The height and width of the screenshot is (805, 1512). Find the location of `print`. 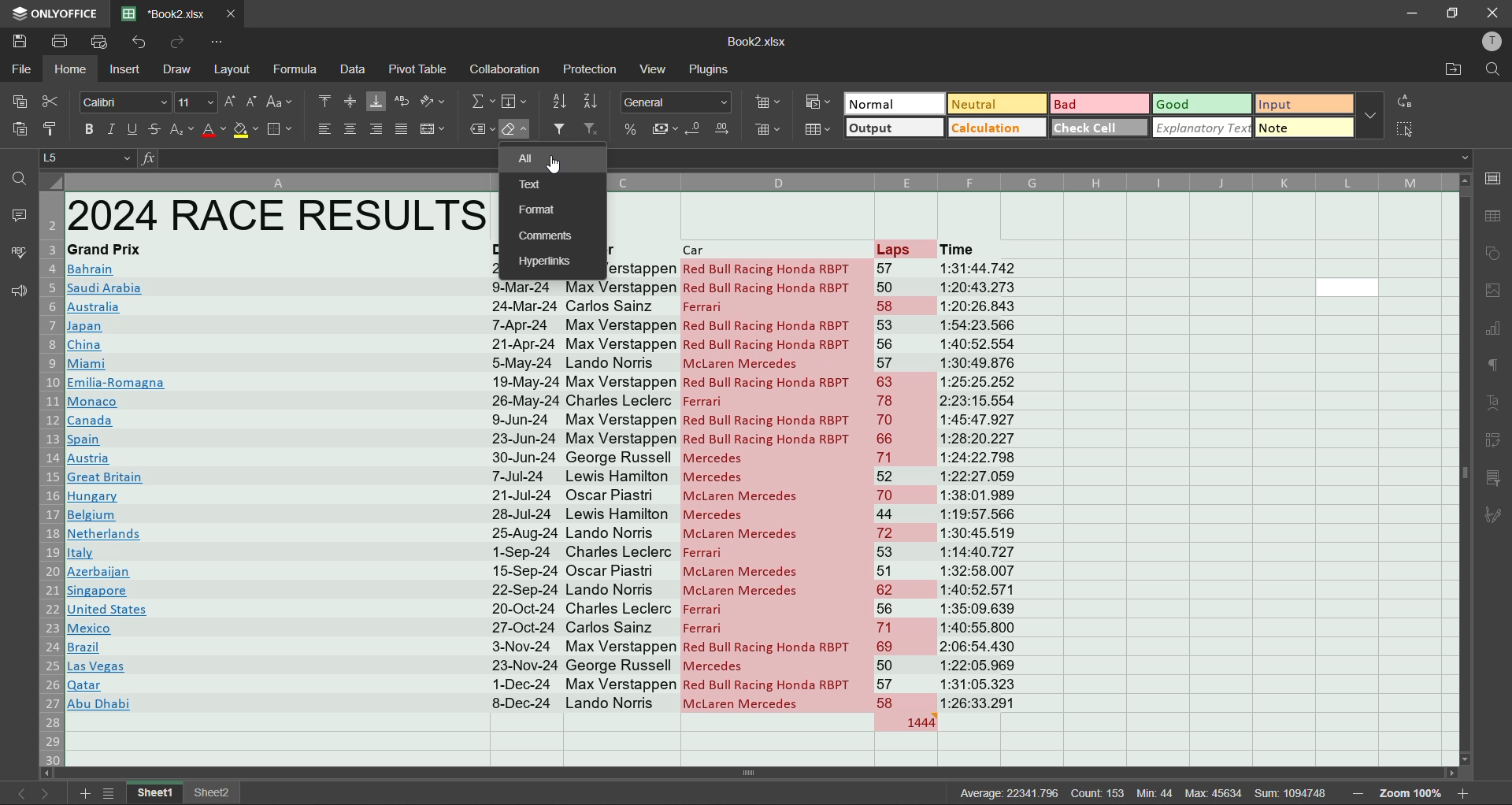

print is located at coordinates (58, 42).